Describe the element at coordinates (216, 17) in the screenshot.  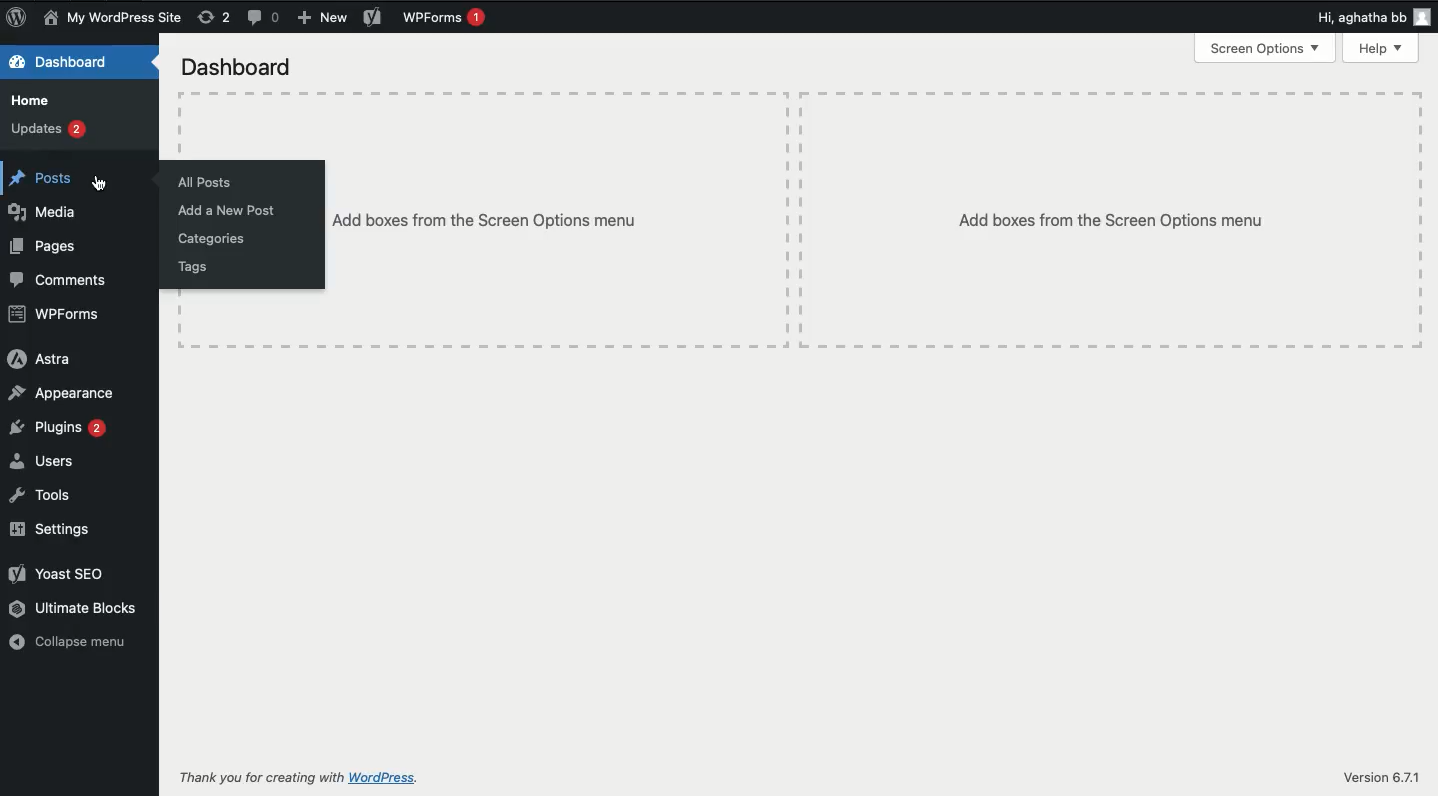
I see `Revisions` at that location.